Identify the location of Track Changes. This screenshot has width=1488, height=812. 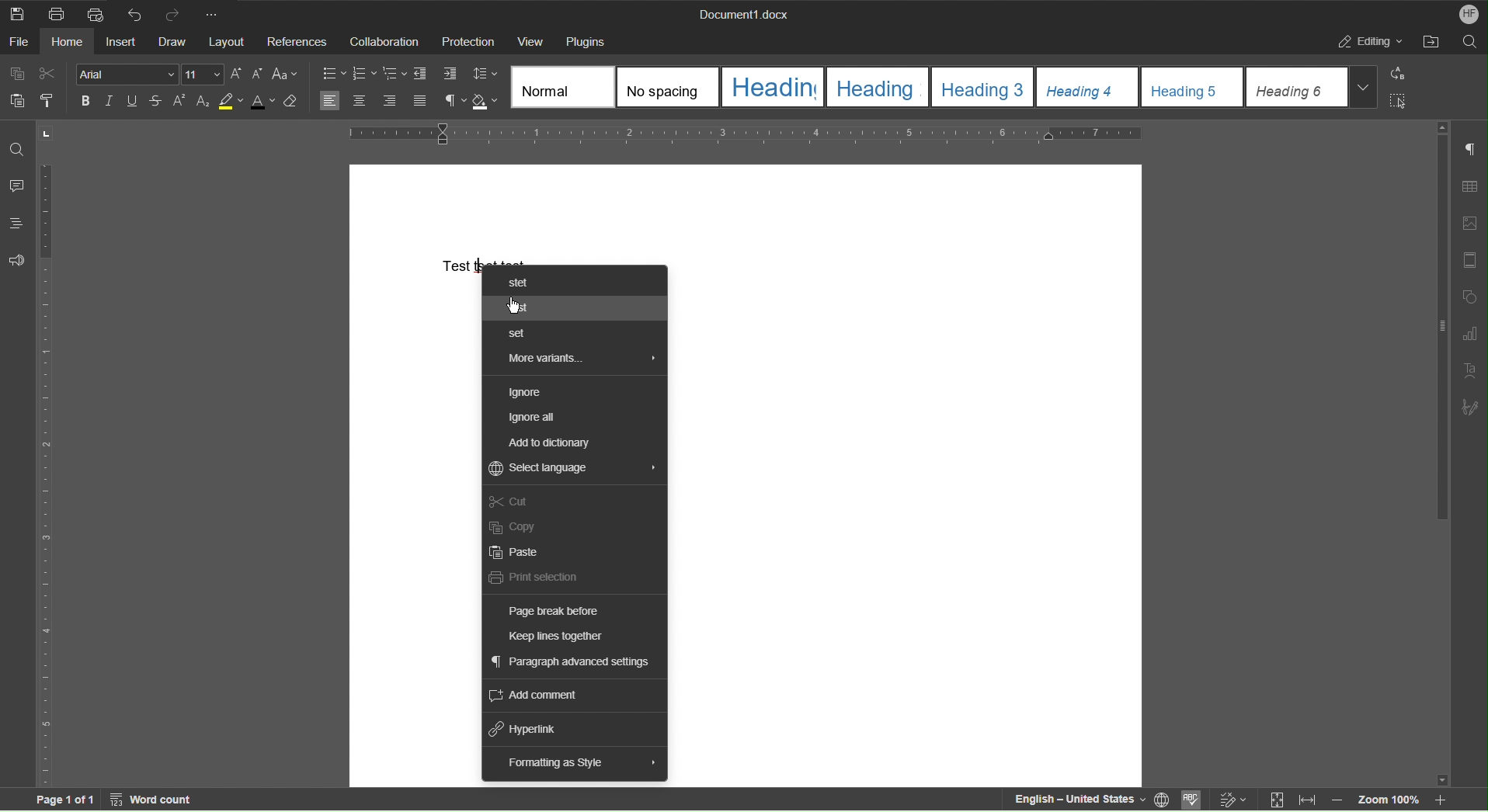
(1233, 799).